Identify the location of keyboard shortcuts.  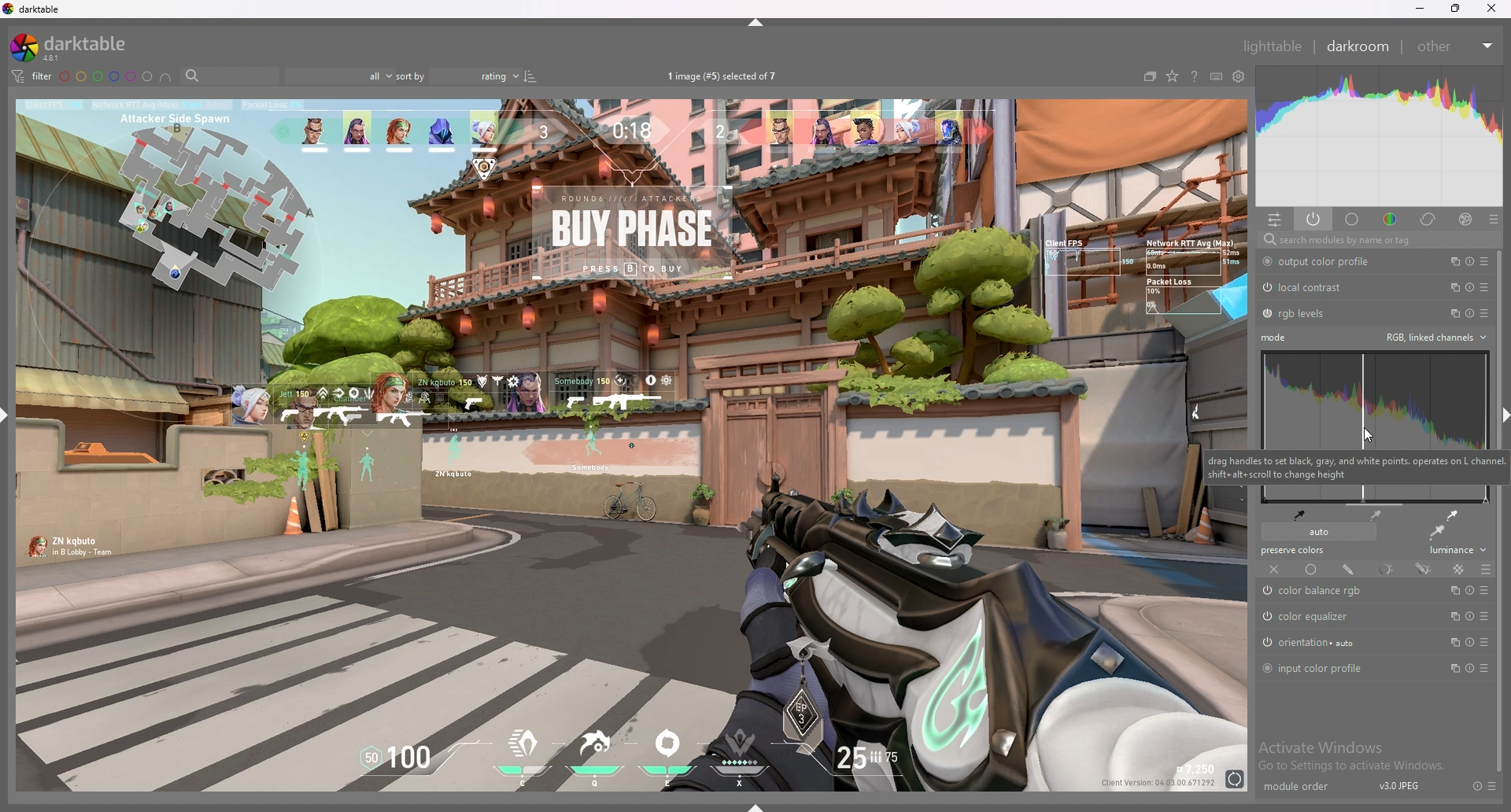
(1217, 78).